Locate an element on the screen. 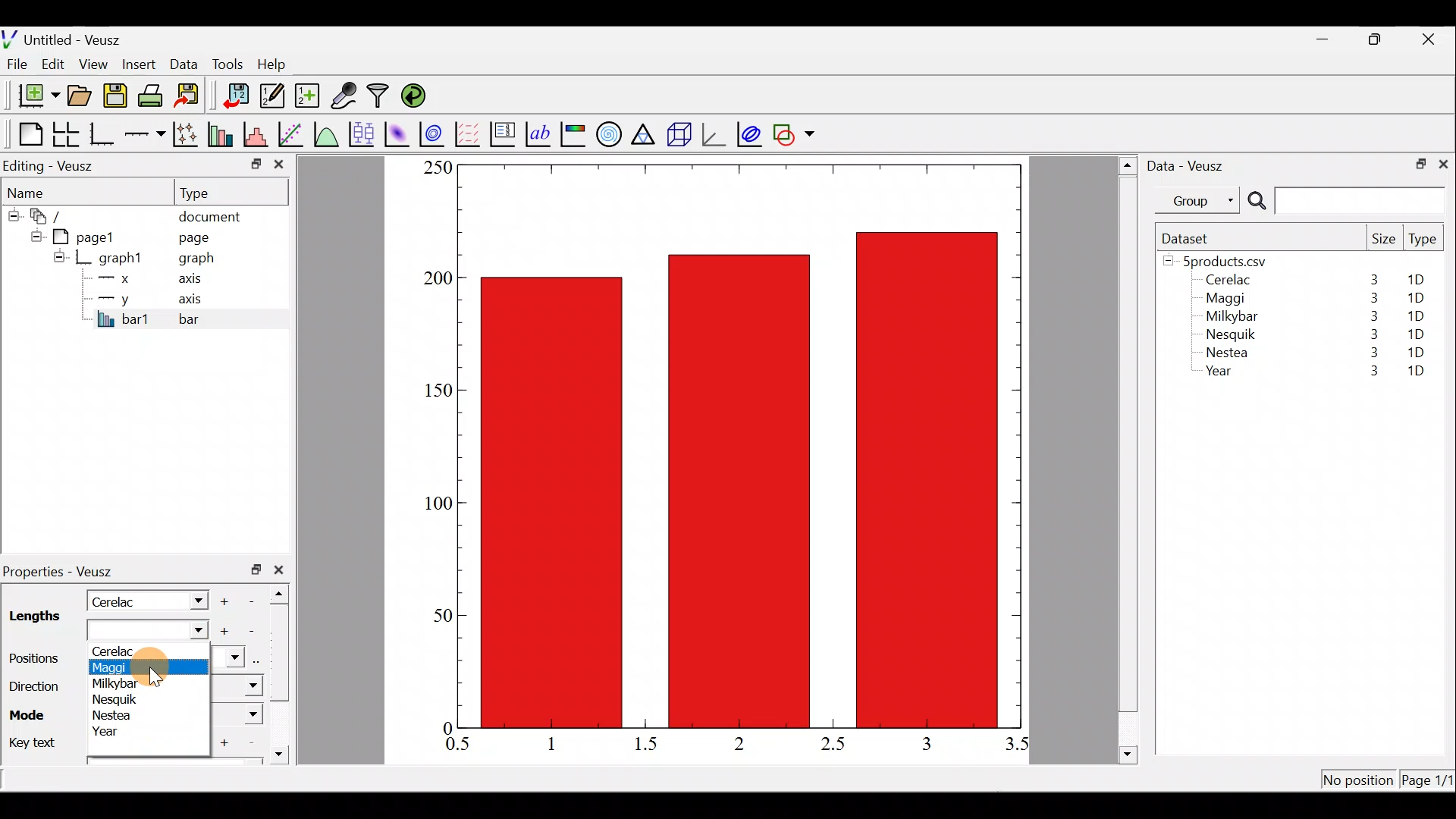 The width and height of the screenshot is (1456, 819). Cursor is located at coordinates (190, 633).